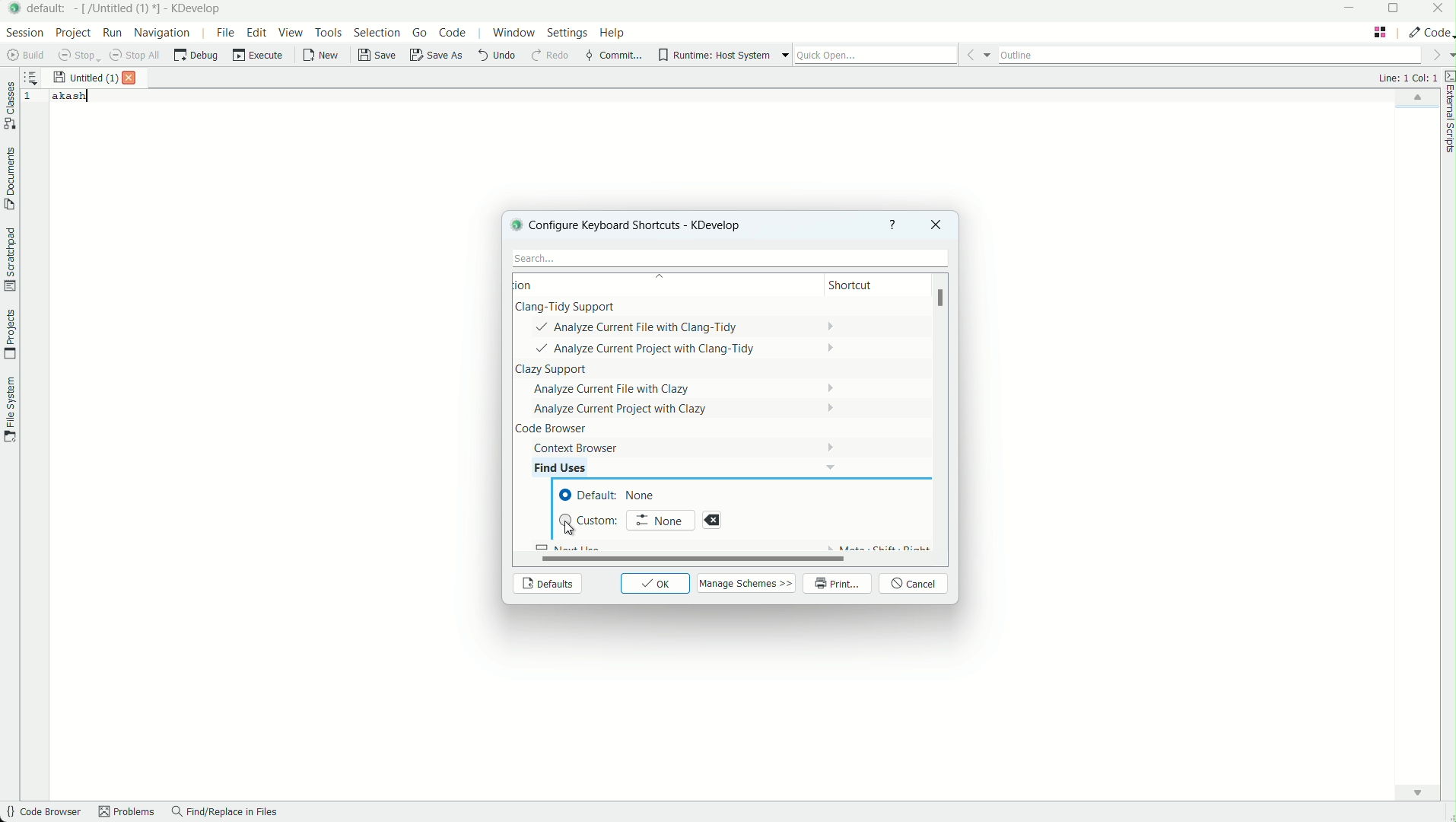 This screenshot has width=1456, height=822. What do you see at coordinates (119, 8) in the screenshot?
I see `file name` at bounding box center [119, 8].